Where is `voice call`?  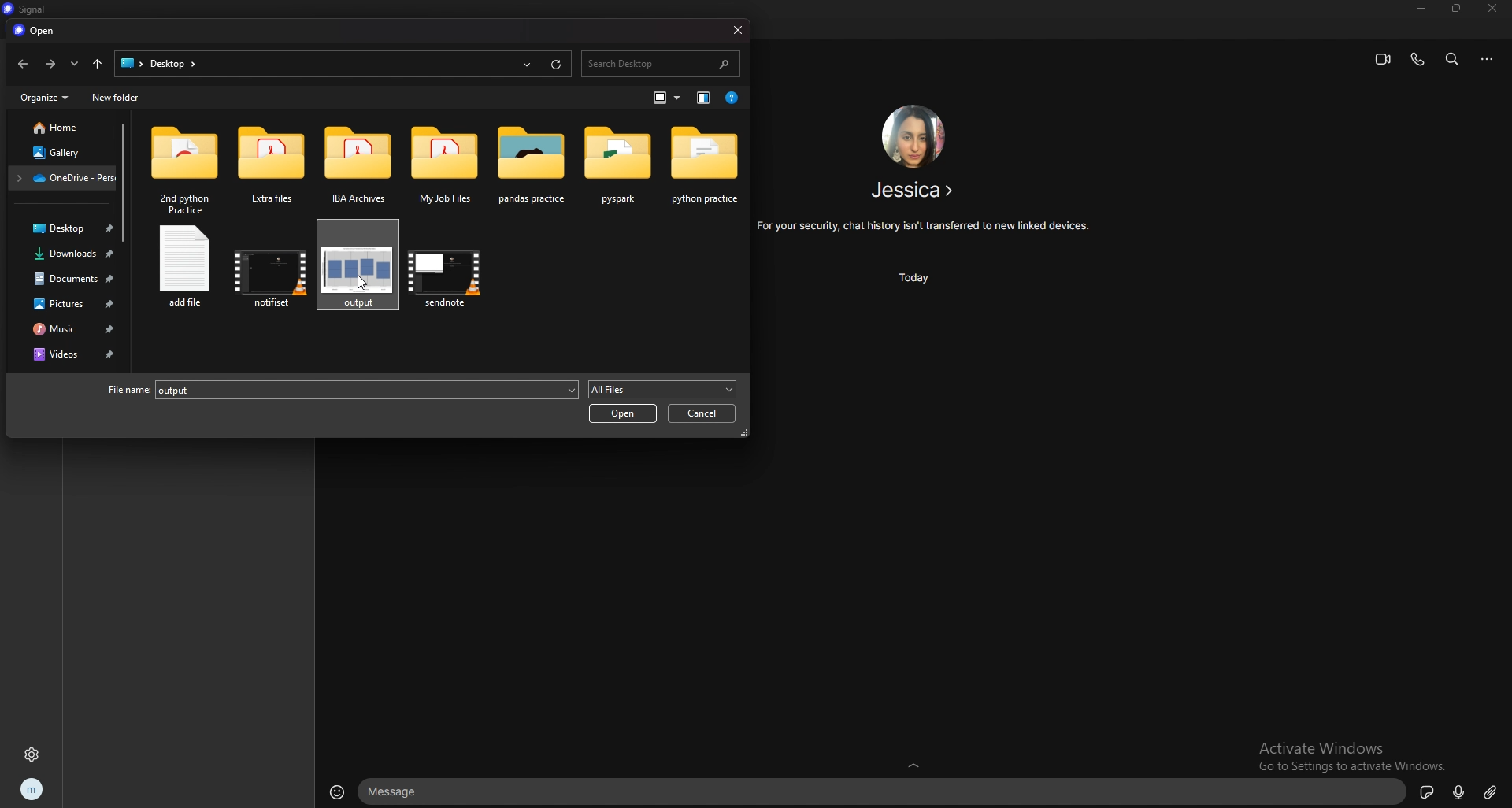
voice call is located at coordinates (1417, 60).